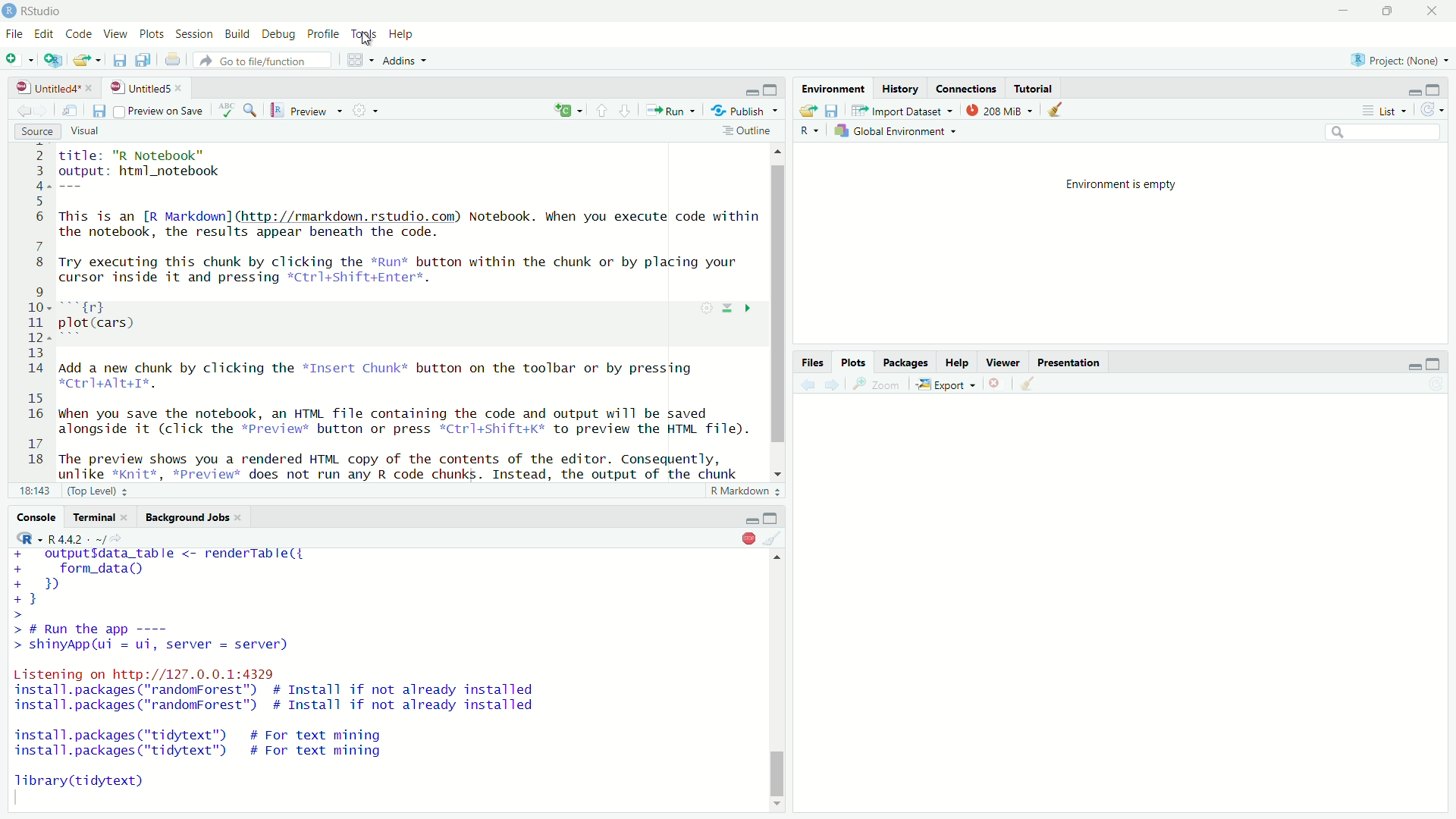  Describe the element at coordinates (1413, 91) in the screenshot. I see `minimize` at that location.